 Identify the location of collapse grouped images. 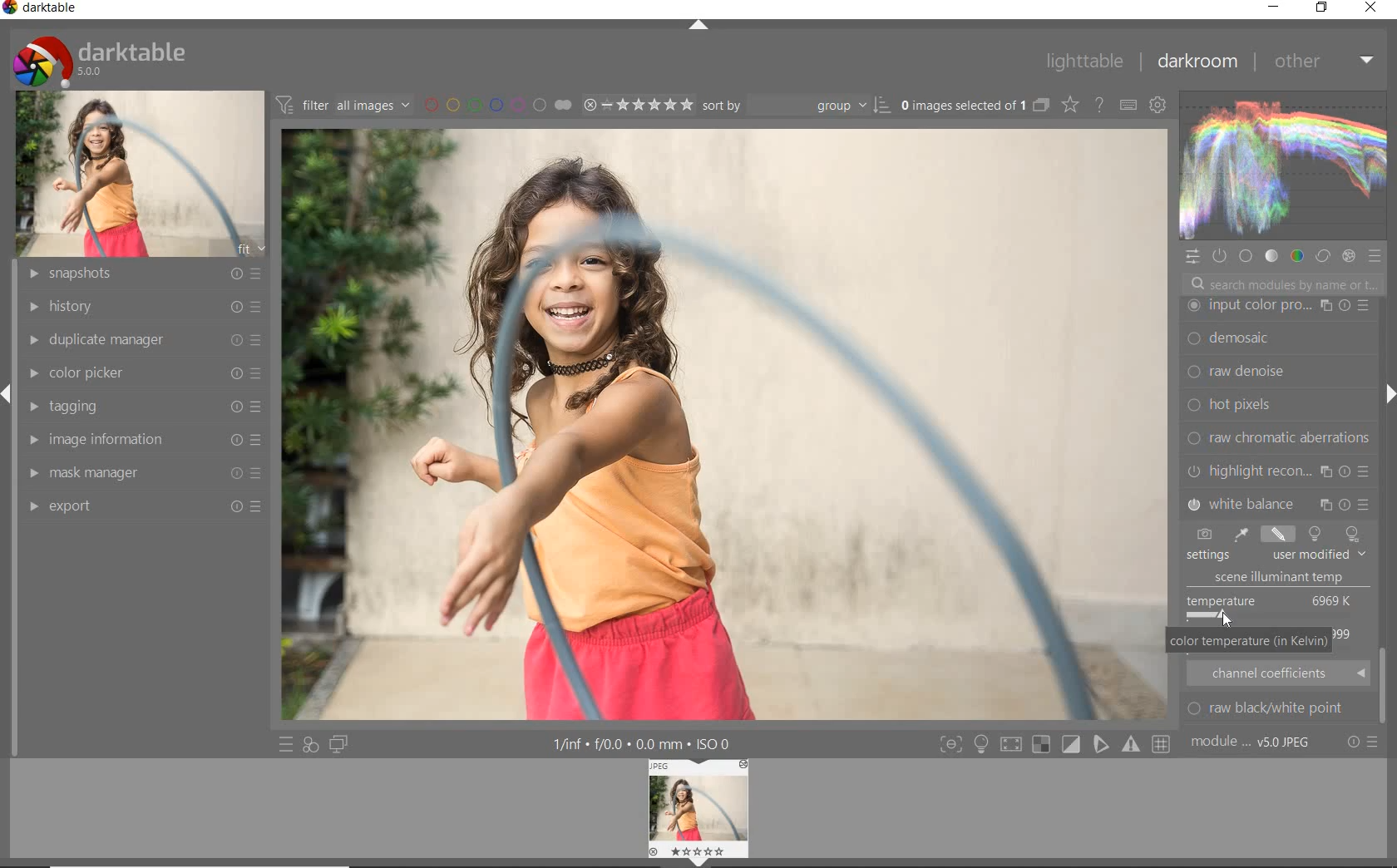
(1040, 106).